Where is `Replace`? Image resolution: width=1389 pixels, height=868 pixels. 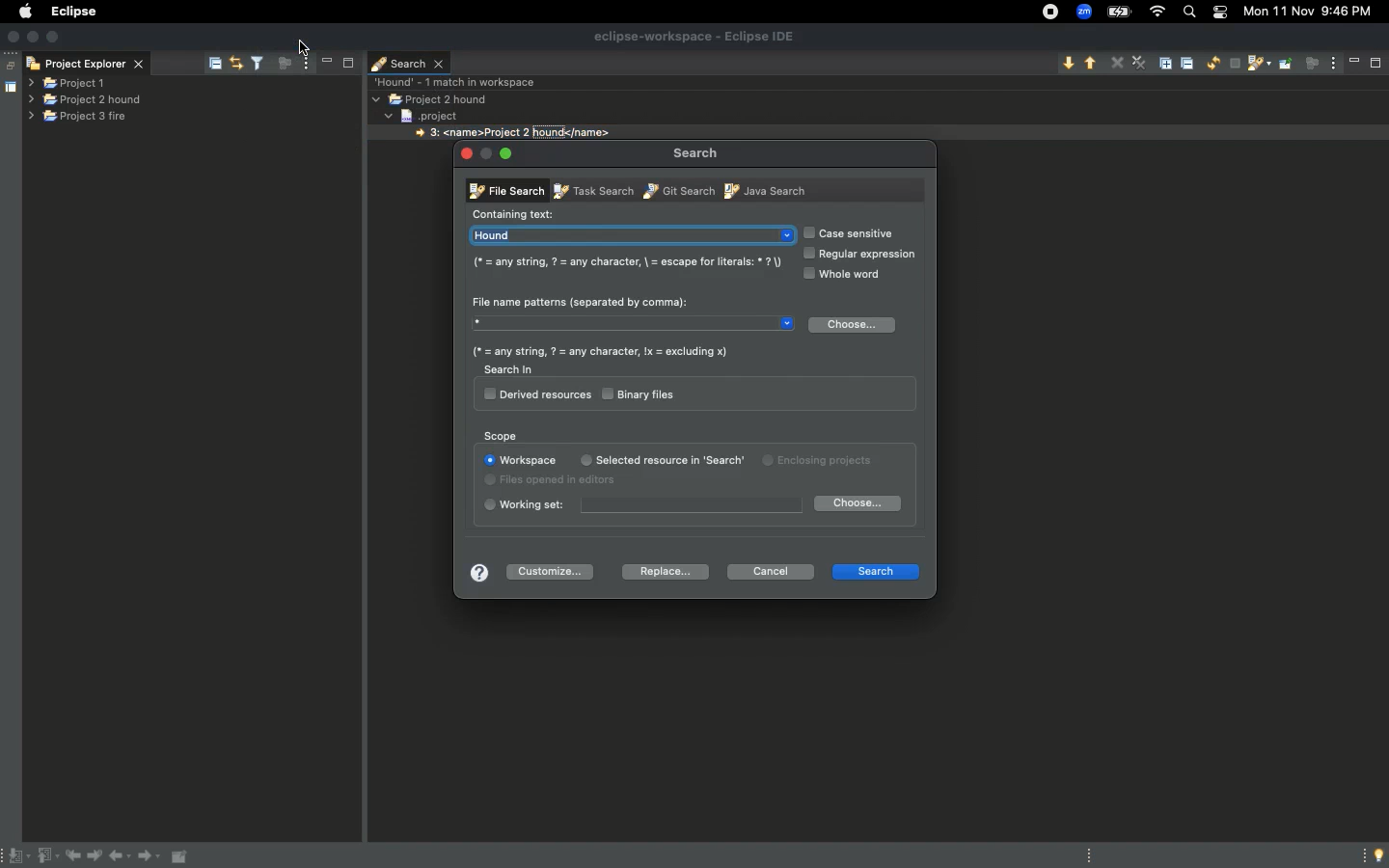
Replace is located at coordinates (660, 572).